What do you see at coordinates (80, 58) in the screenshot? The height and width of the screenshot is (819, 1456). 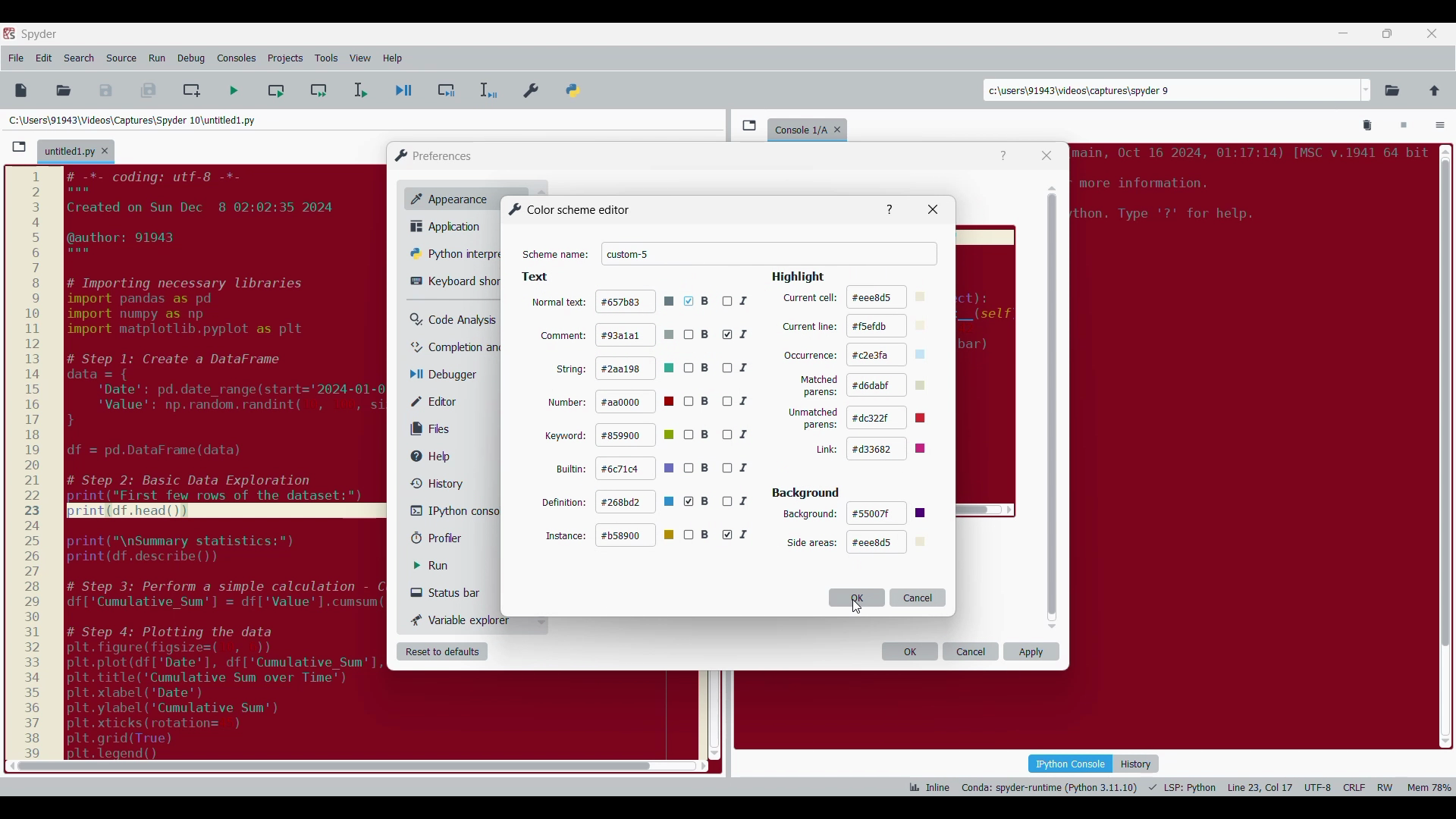 I see `Search menu` at bounding box center [80, 58].